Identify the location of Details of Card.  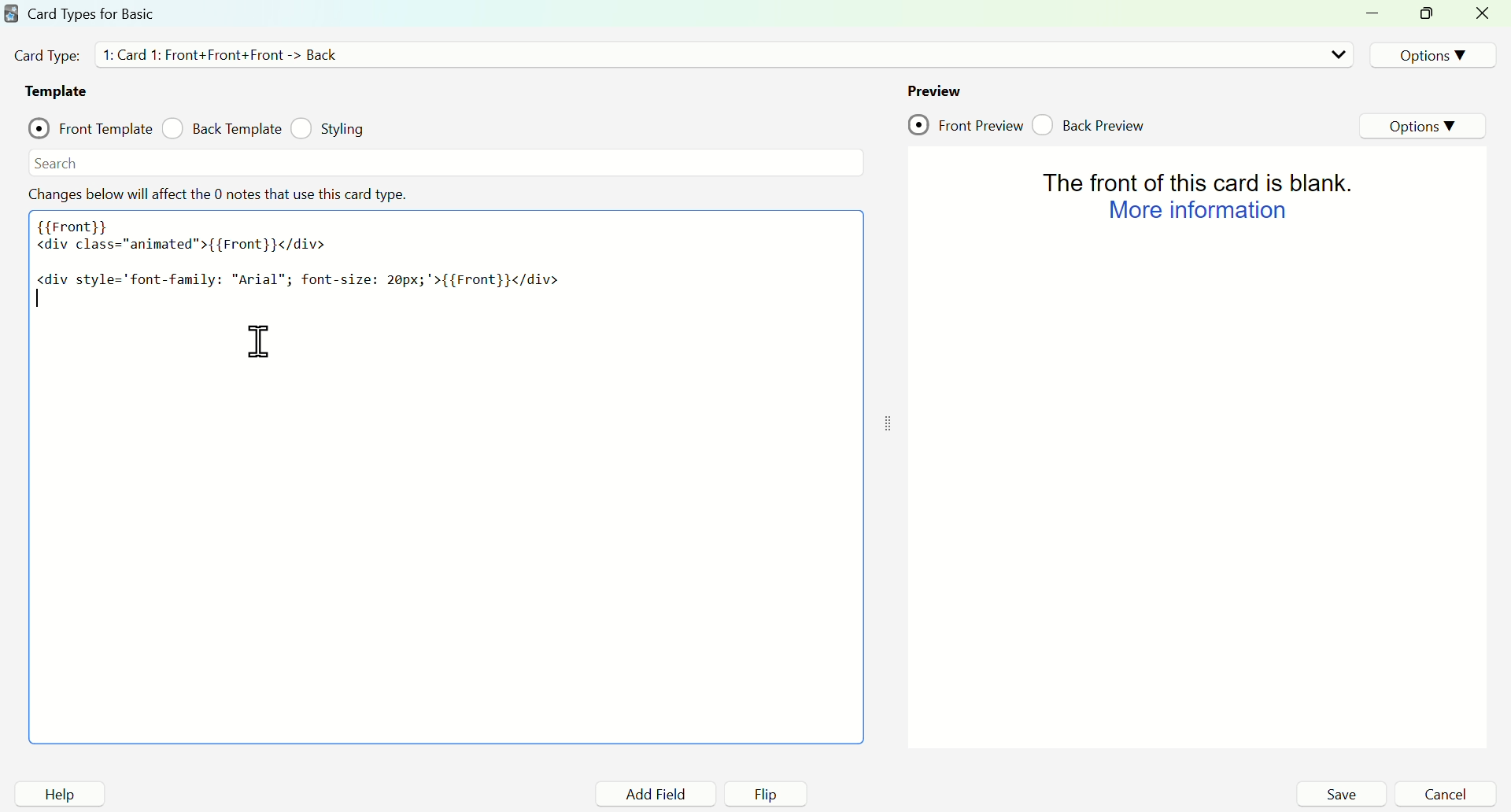
(227, 54).